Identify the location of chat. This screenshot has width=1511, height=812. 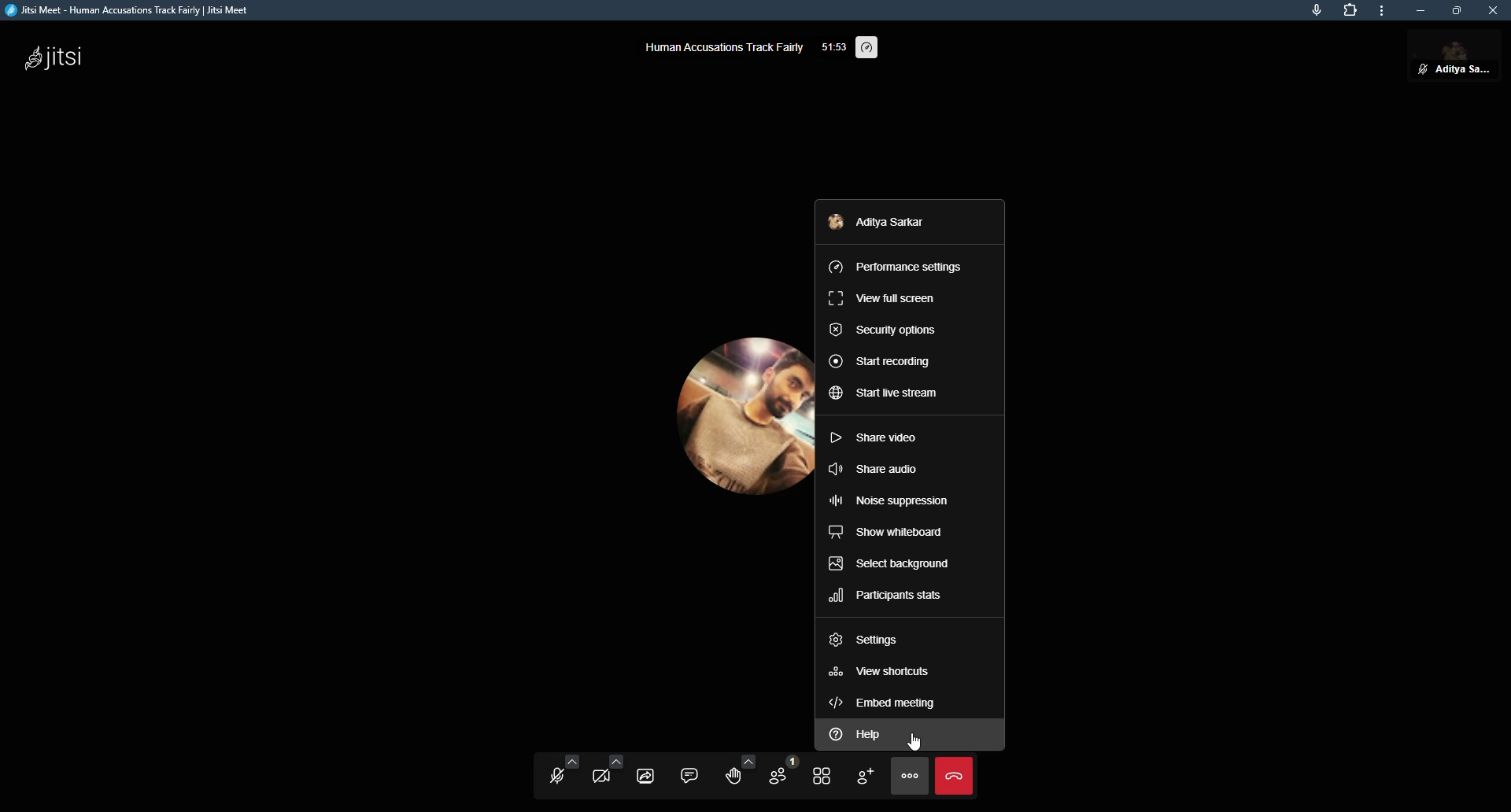
(686, 773).